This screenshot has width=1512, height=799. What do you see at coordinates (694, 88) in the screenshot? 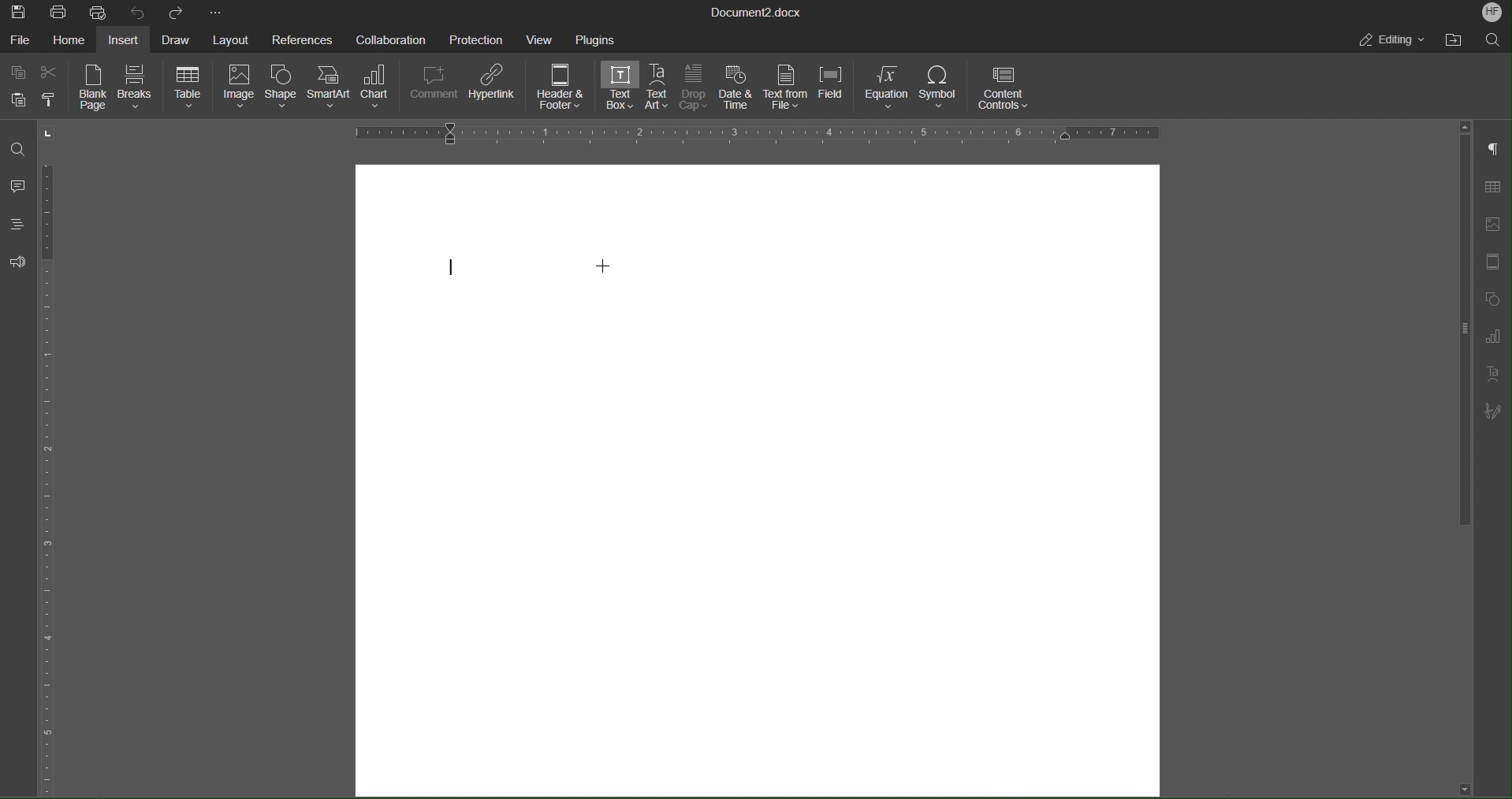
I see `Drop Cap` at bounding box center [694, 88].